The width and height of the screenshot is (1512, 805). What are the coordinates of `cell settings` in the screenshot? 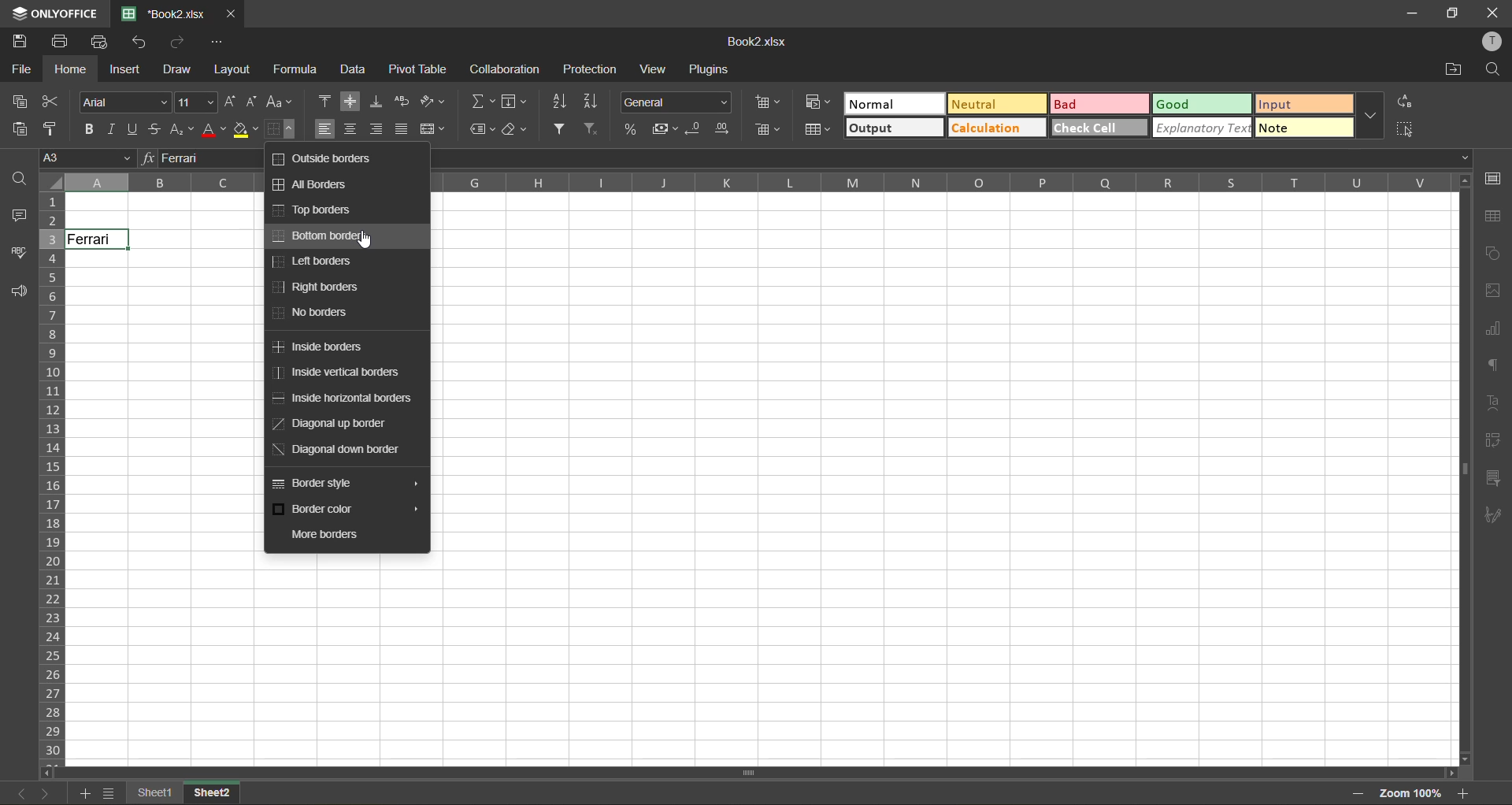 It's located at (1492, 178).